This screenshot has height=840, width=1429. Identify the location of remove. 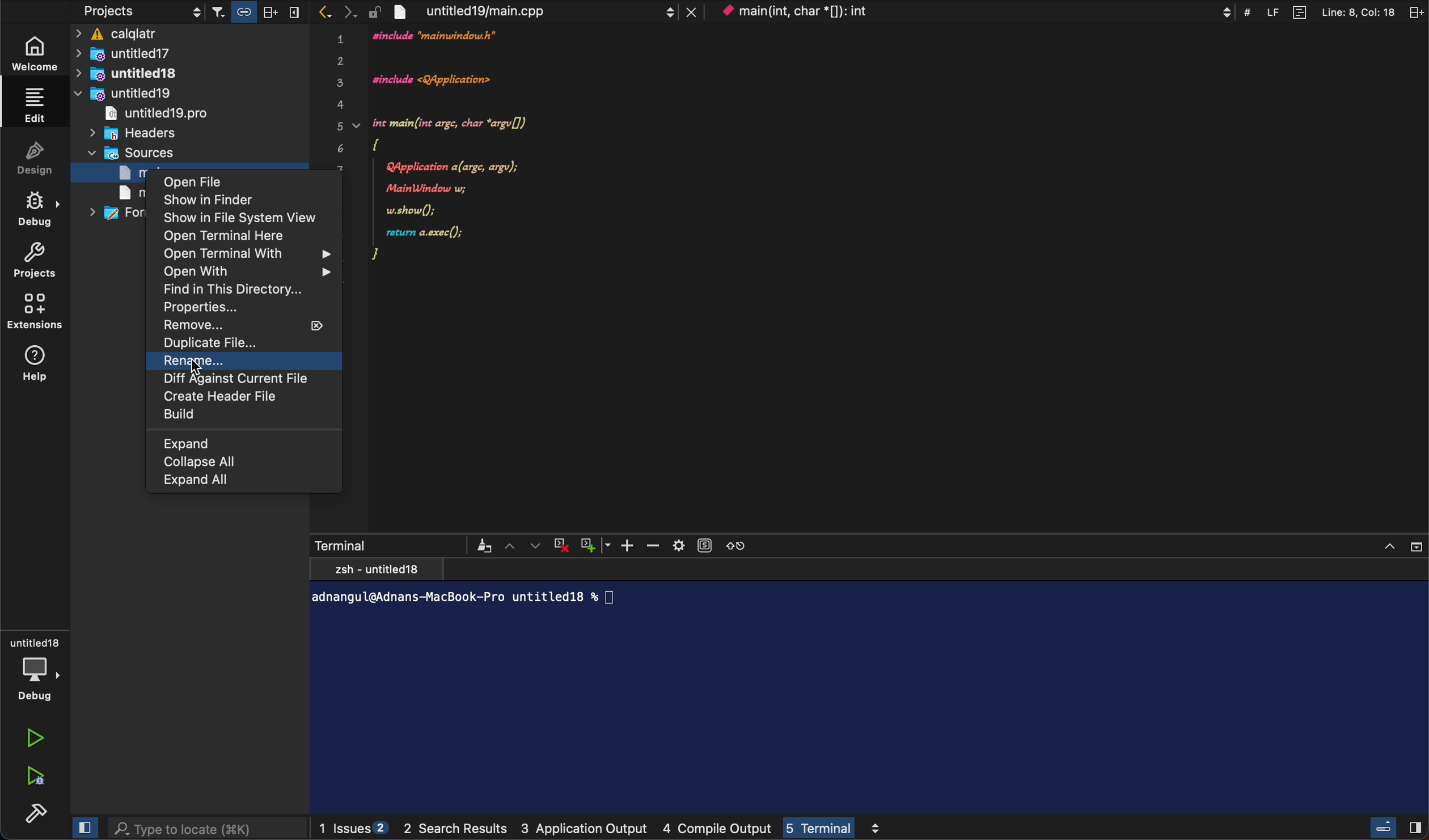
(236, 324).